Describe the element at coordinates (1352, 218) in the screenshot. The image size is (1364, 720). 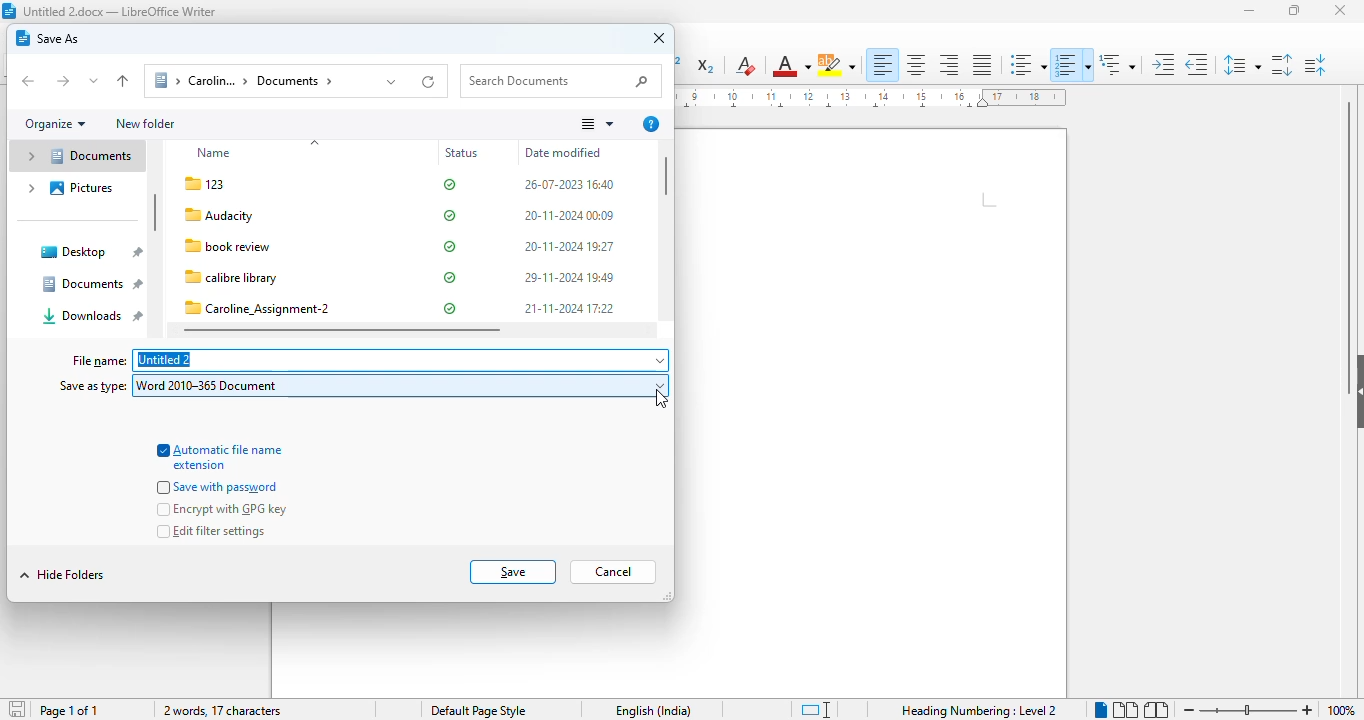
I see `vertical scroll bar` at that location.